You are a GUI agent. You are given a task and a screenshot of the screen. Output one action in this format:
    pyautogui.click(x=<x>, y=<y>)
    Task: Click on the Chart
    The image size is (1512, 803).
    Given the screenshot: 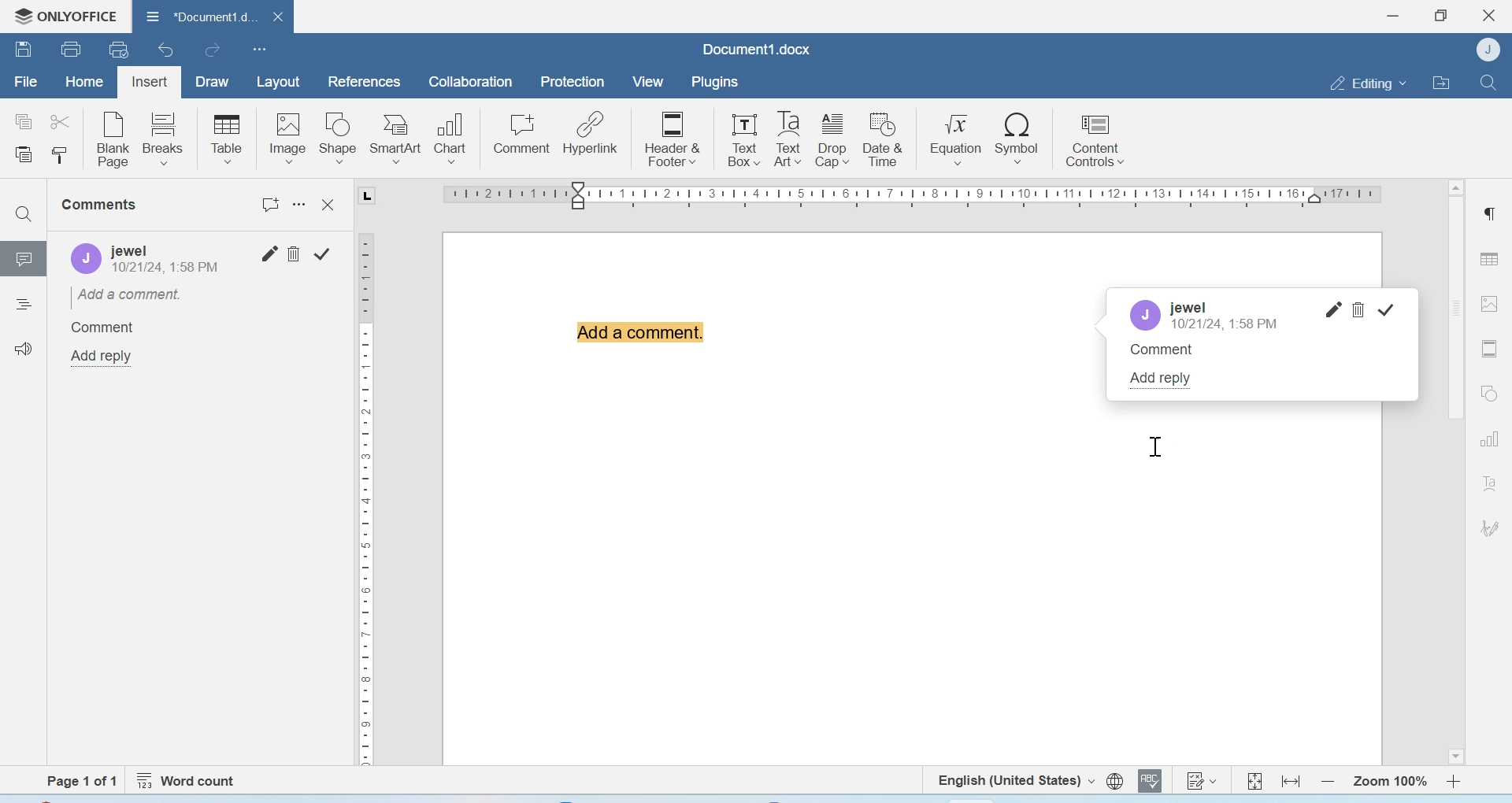 What is the action you would take?
    pyautogui.click(x=452, y=136)
    